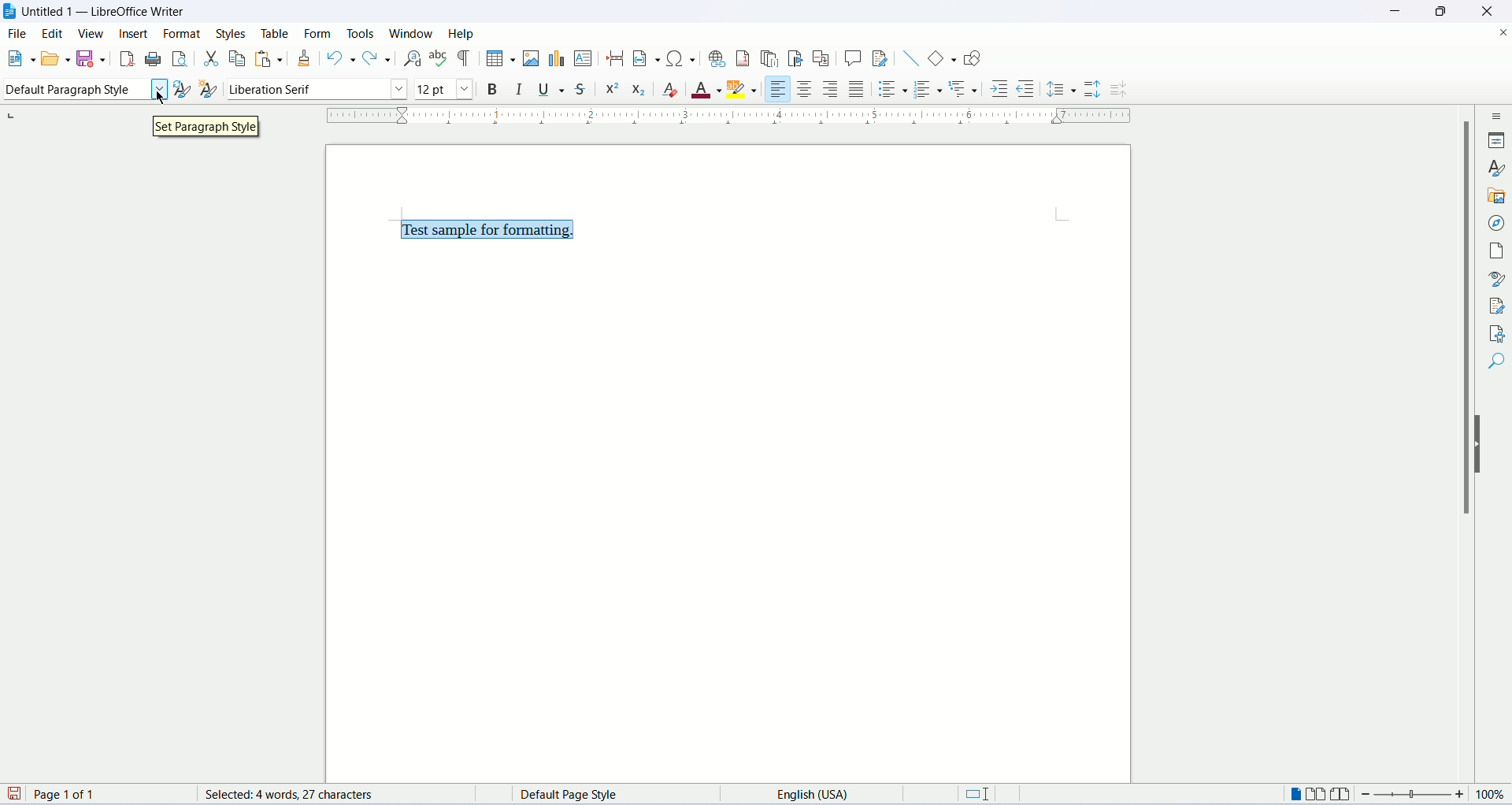 This screenshot has height=805, width=1512. I want to click on properties, so click(1499, 139).